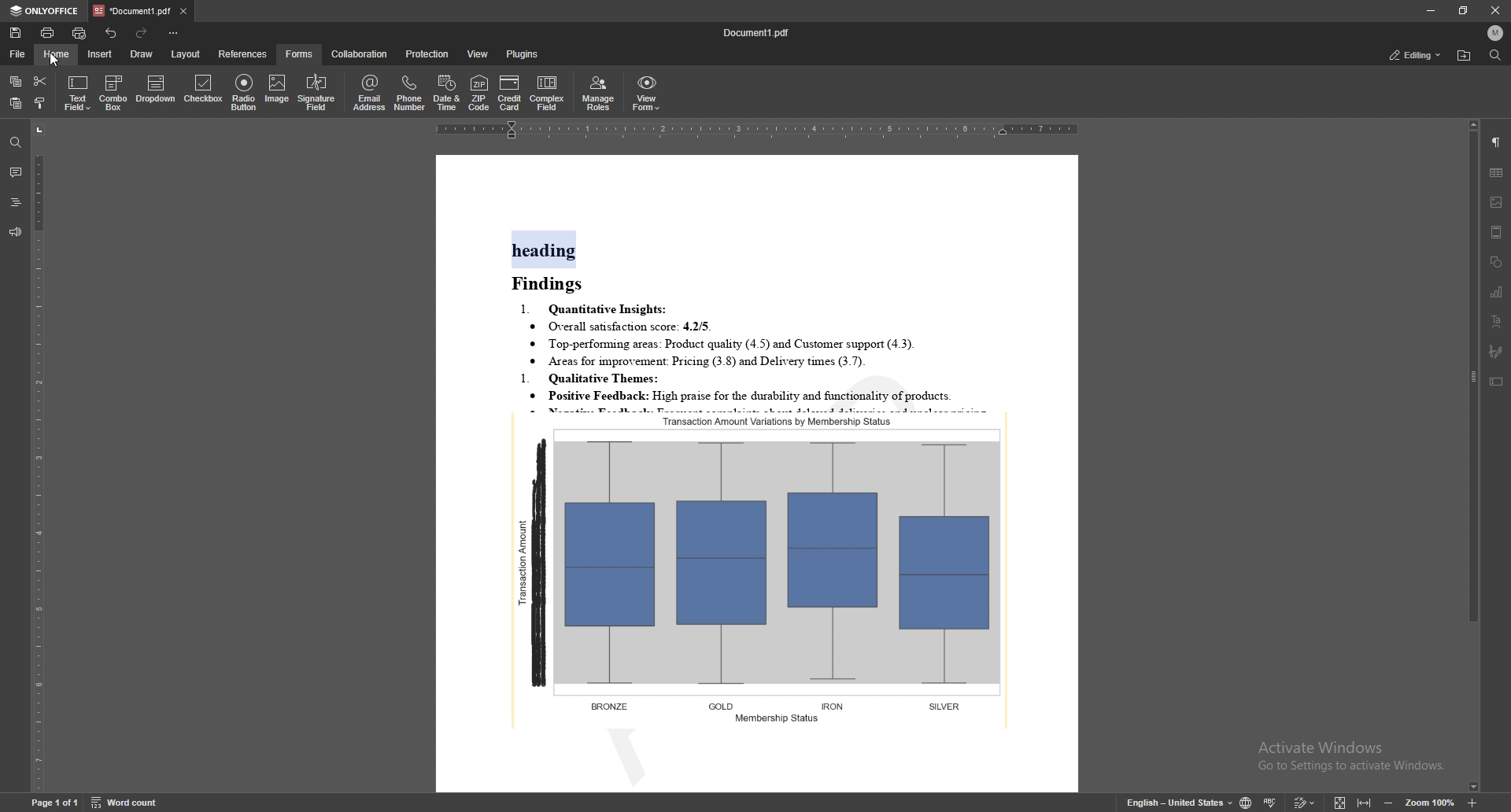  What do you see at coordinates (13, 234) in the screenshot?
I see `feedback` at bounding box center [13, 234].